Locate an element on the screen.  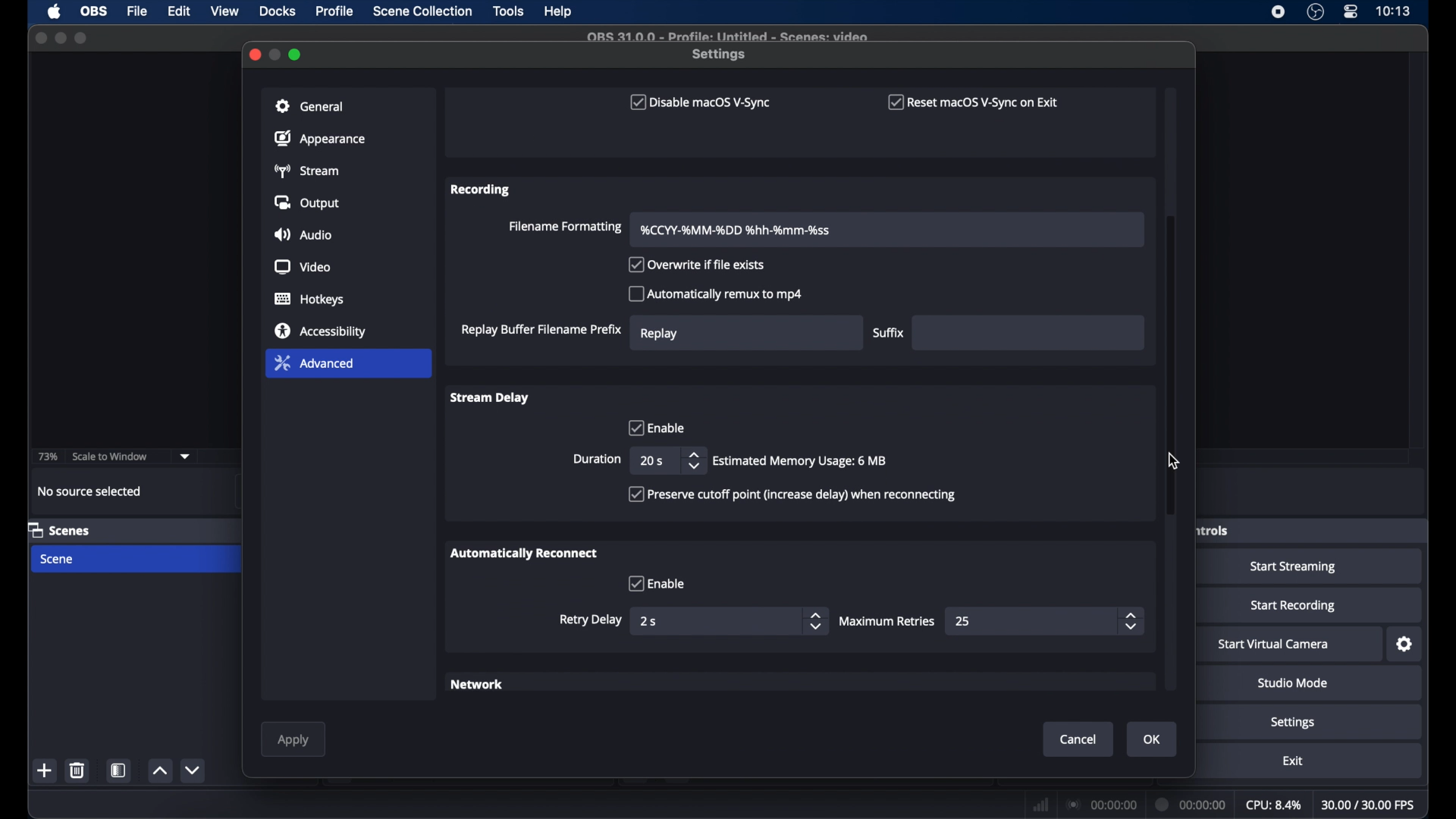
scroll box is located at coordinates (1171, 367).